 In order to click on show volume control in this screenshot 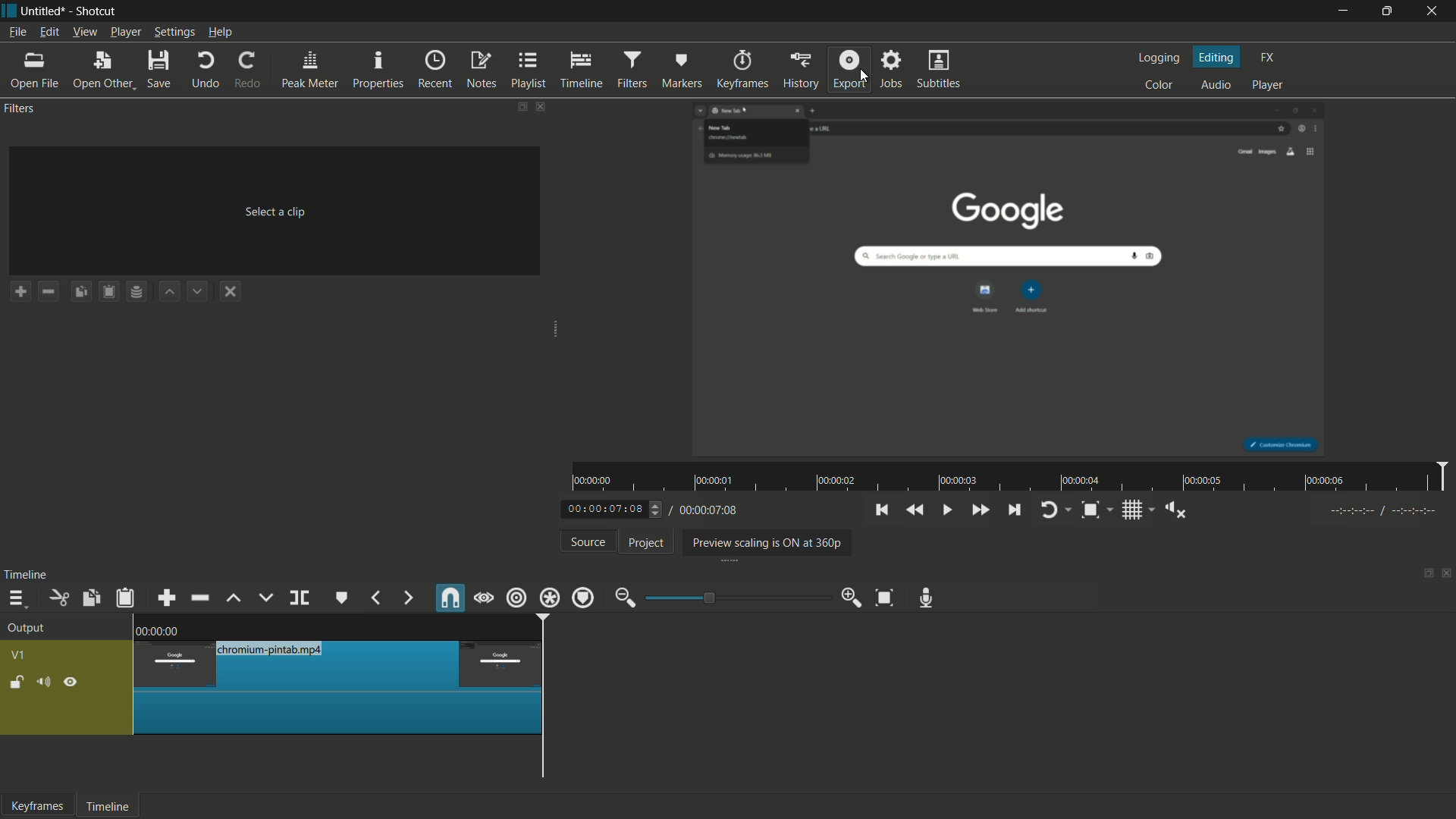, I will do `click(1181, 510)`.